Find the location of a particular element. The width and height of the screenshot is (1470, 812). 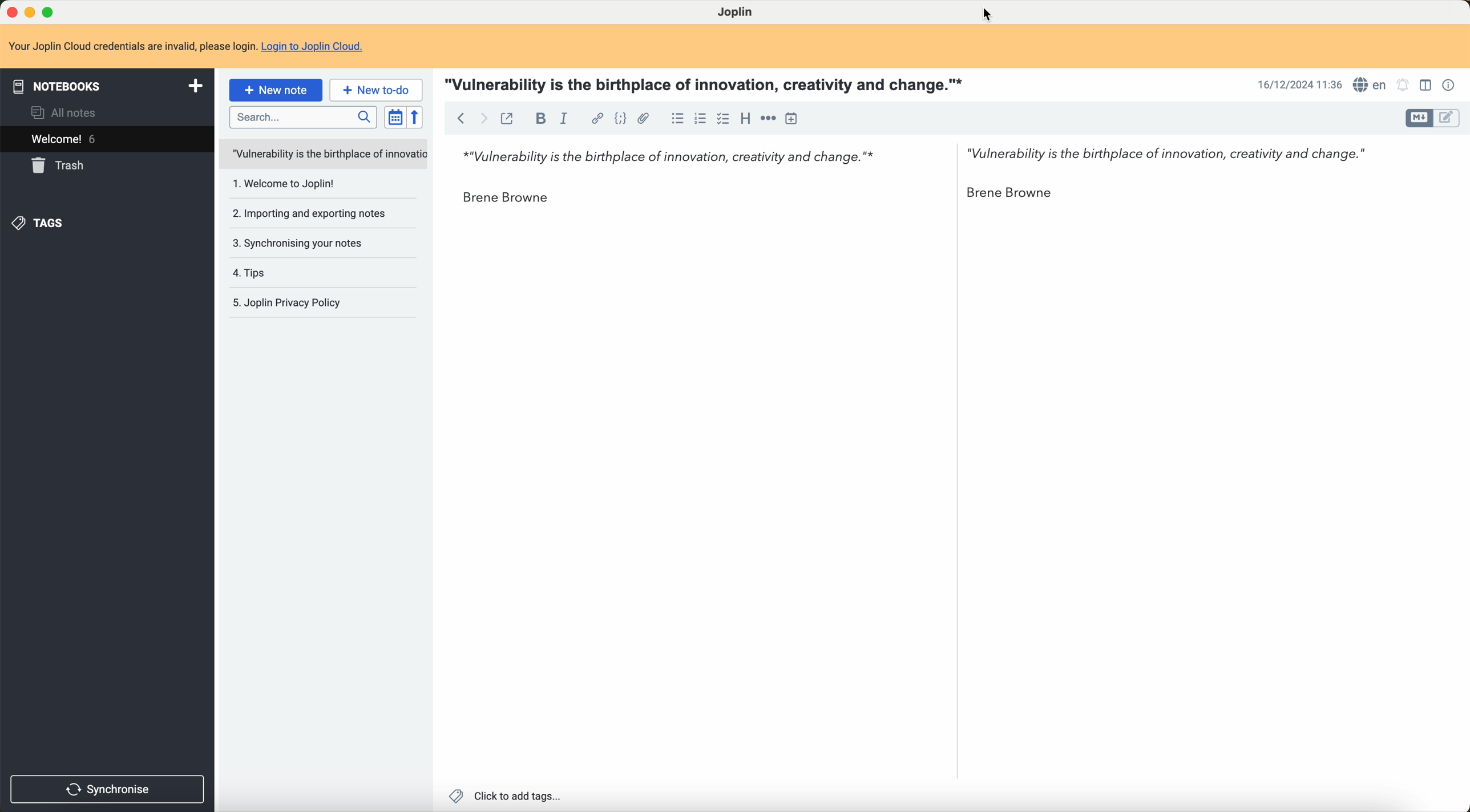

attach file is located at coordinates (646, 119).